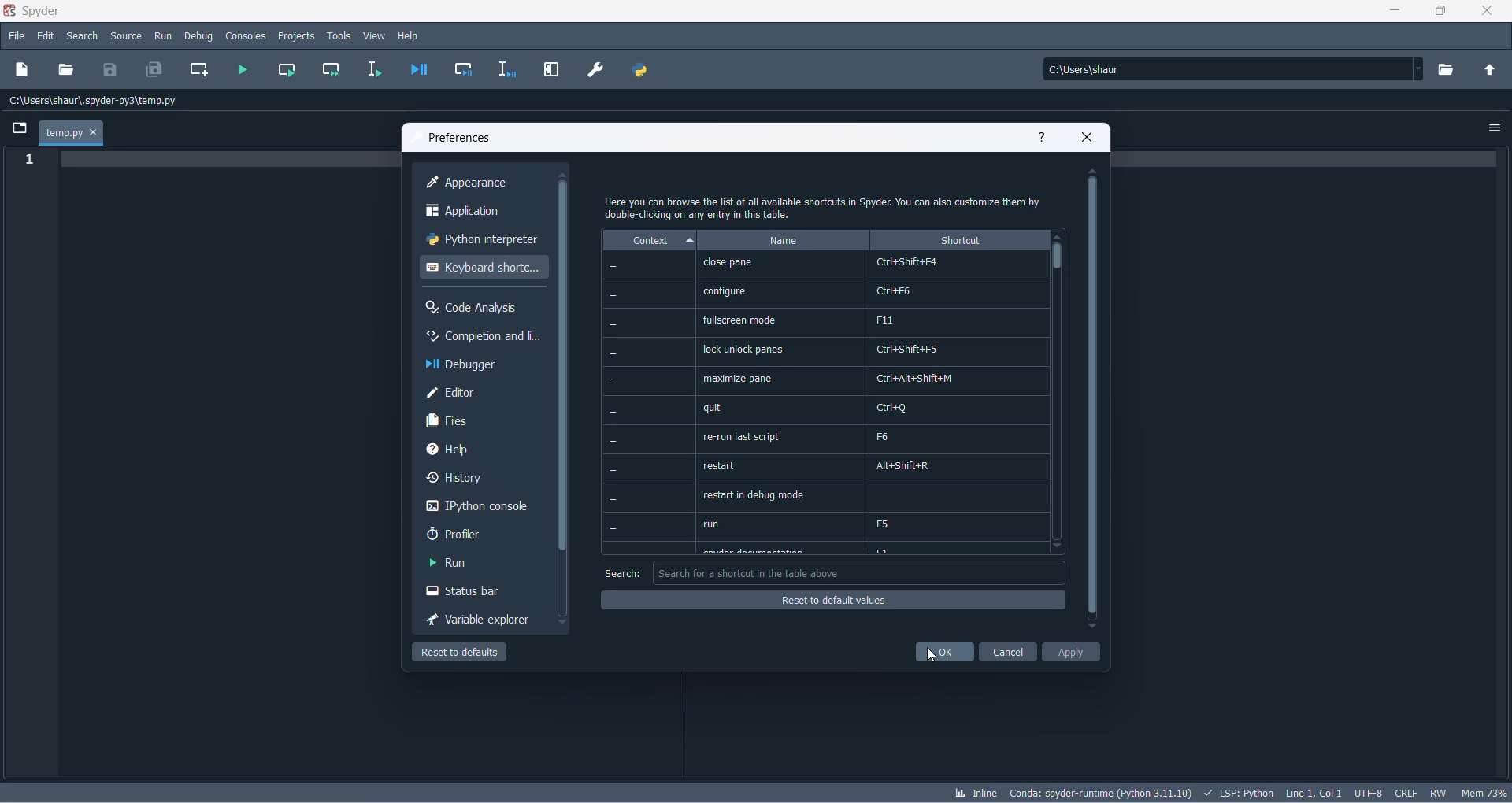  I want to click on search, so click(82, 35).